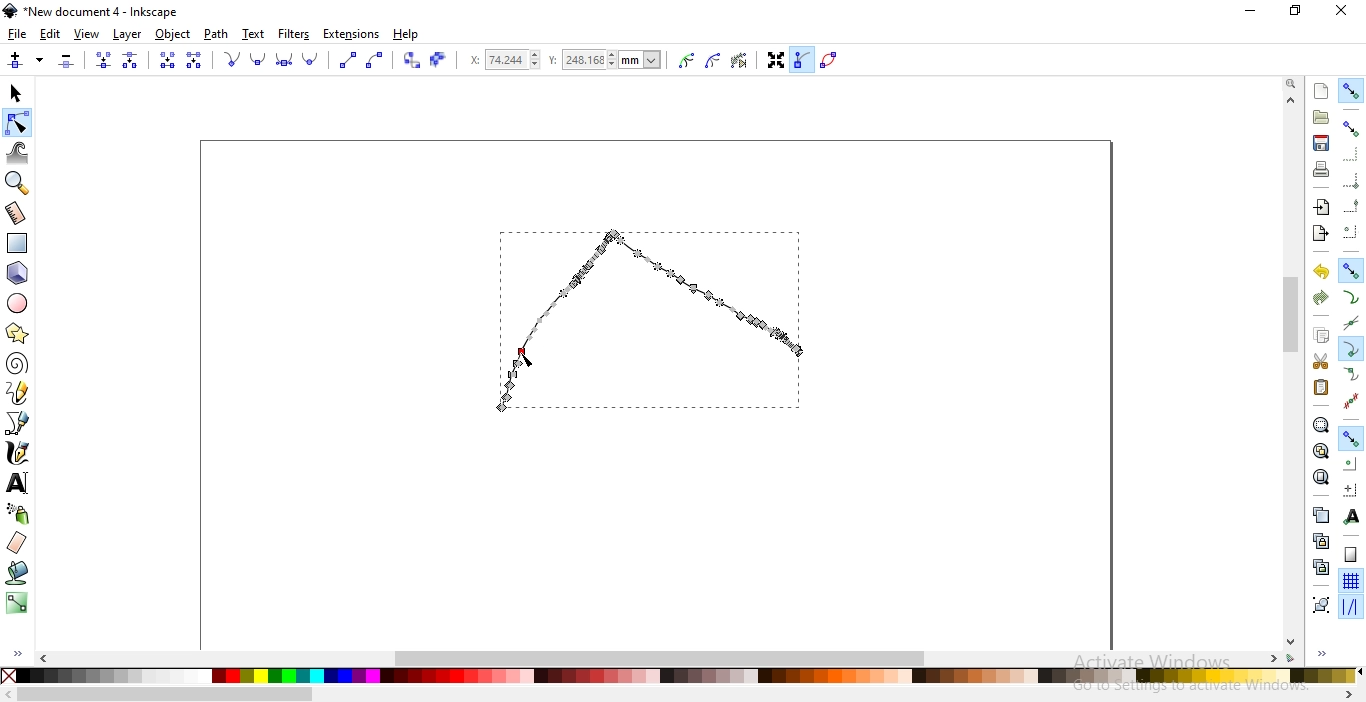  Describe the element at coordinates (1351, 180) in the screenshot. I see `` at that location.